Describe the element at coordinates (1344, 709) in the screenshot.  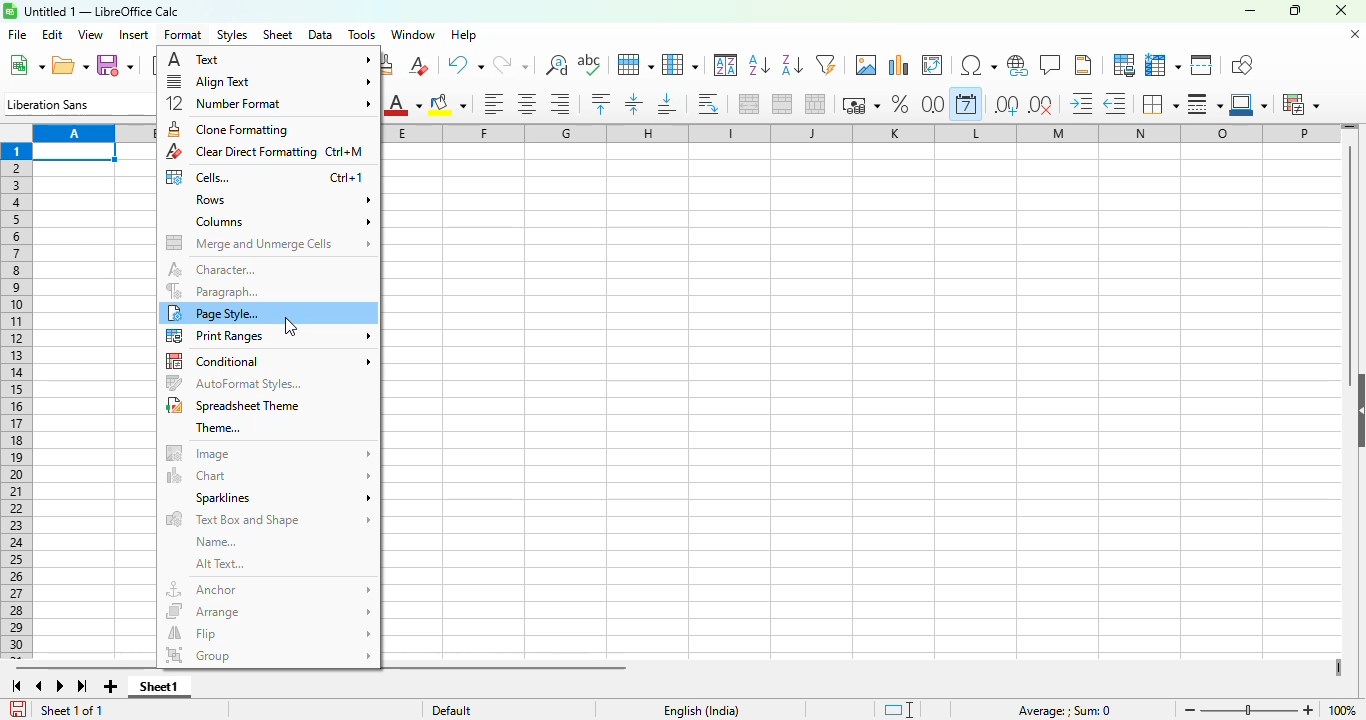
I see `zoom factor` at that location.